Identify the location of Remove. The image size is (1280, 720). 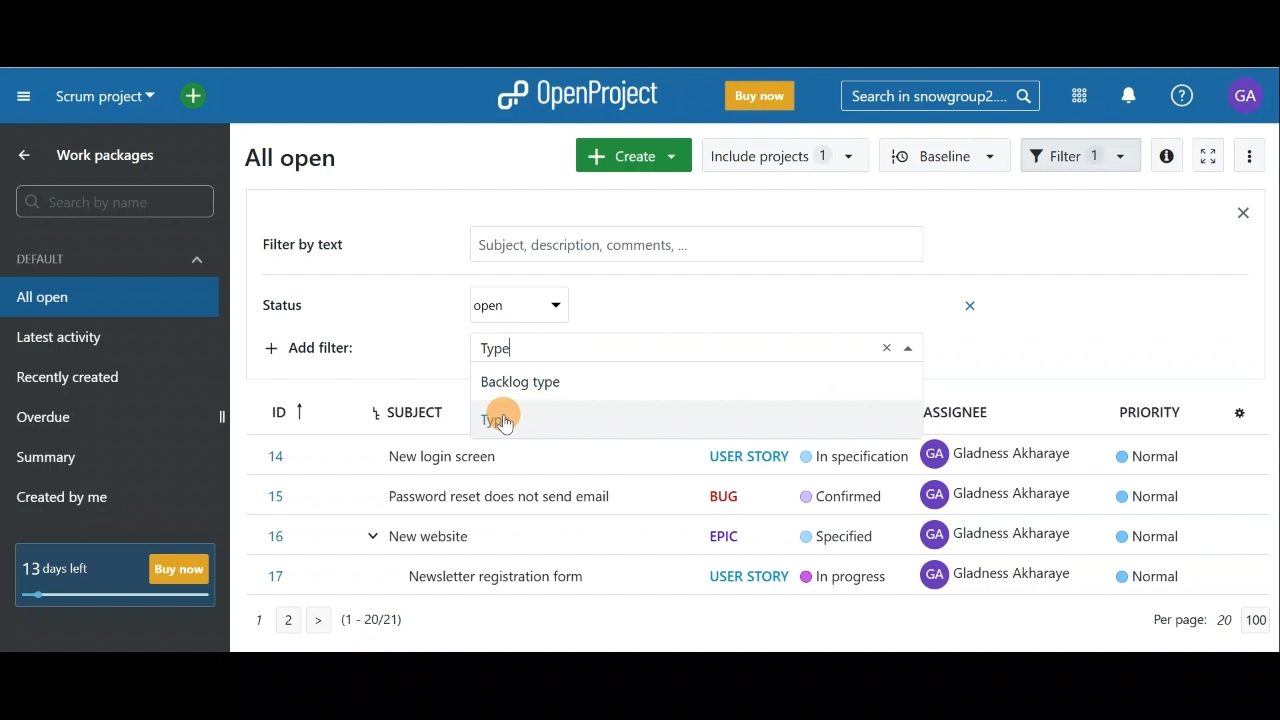
(892, 344).